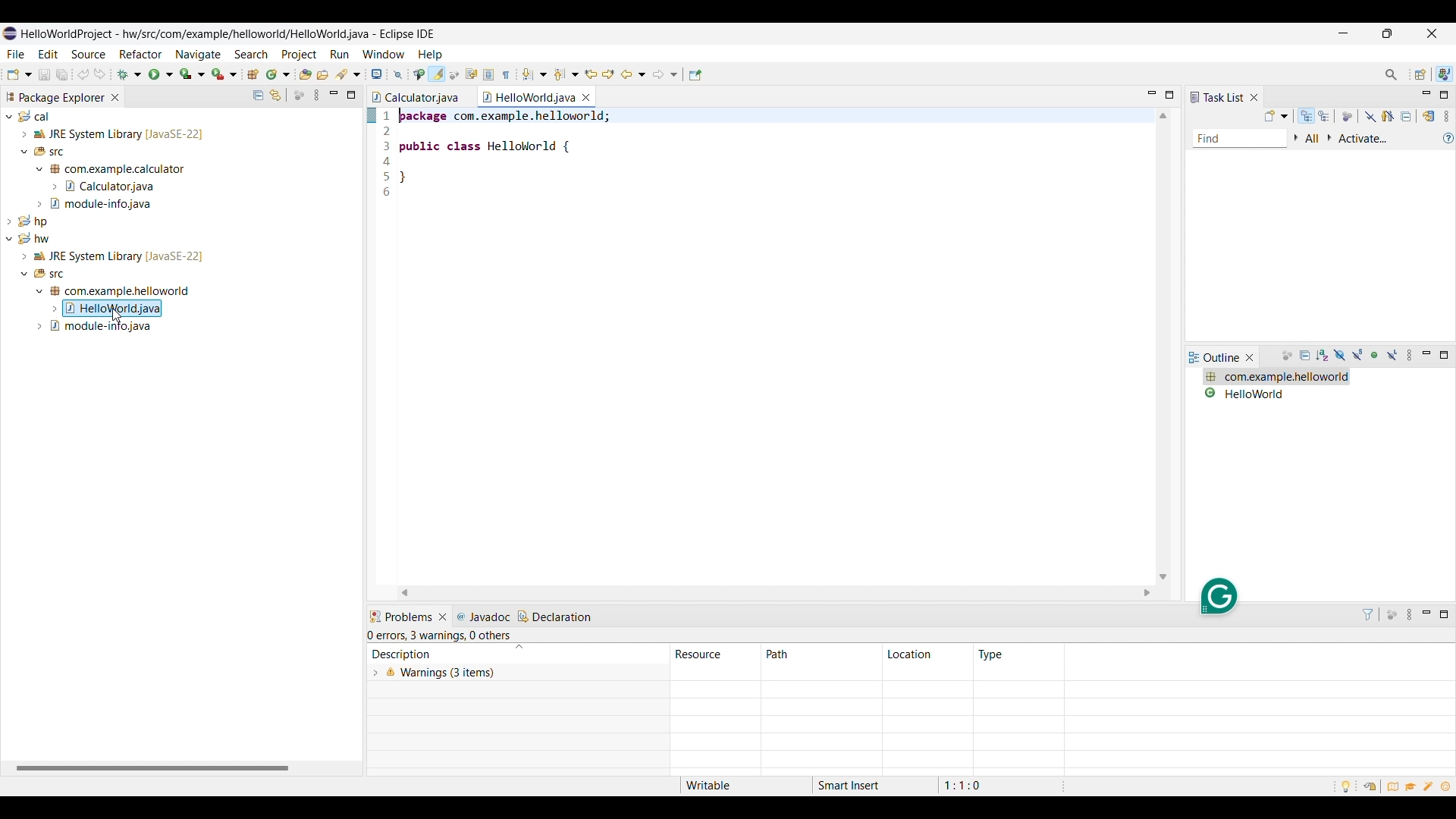 Image resolution: width=1456 pixels, height=819 pixels. I want to click on Samples, so click(1430, 786).